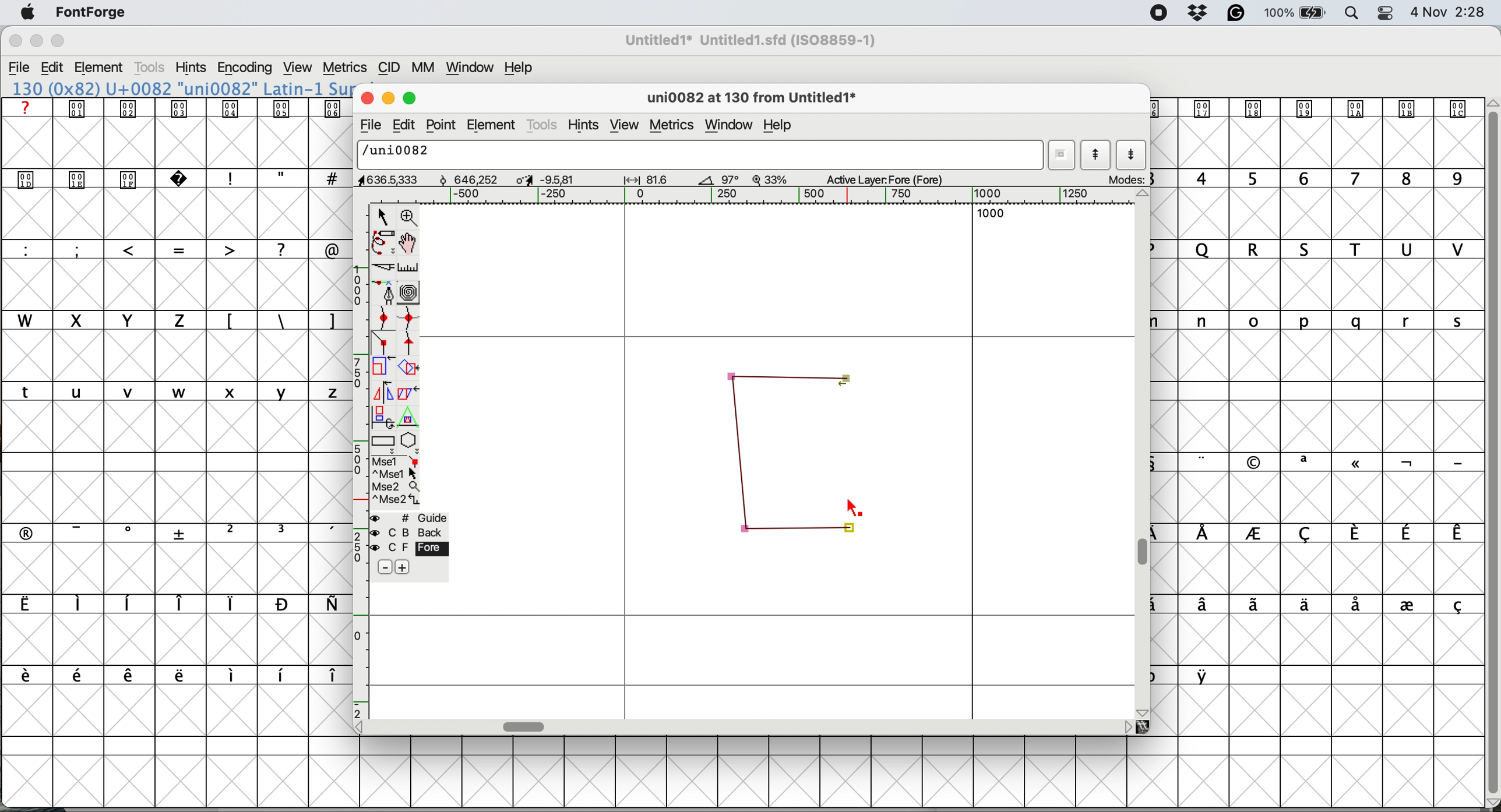  Describe the element at coordinates (246, 68) in the screenshot. I see `encoding` at that location.